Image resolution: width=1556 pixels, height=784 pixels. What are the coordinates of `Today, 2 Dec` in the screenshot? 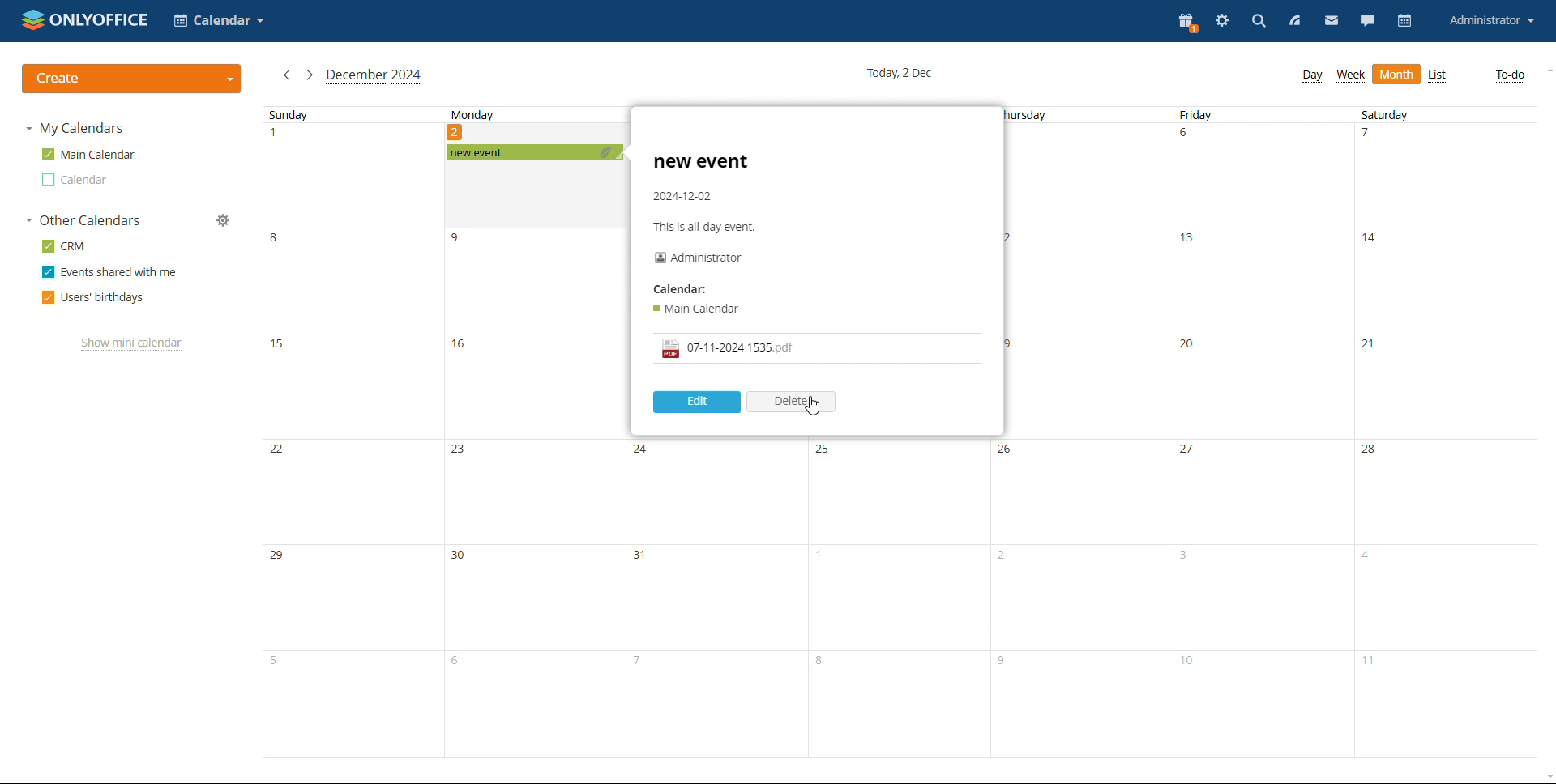 It's located at (904, 72).